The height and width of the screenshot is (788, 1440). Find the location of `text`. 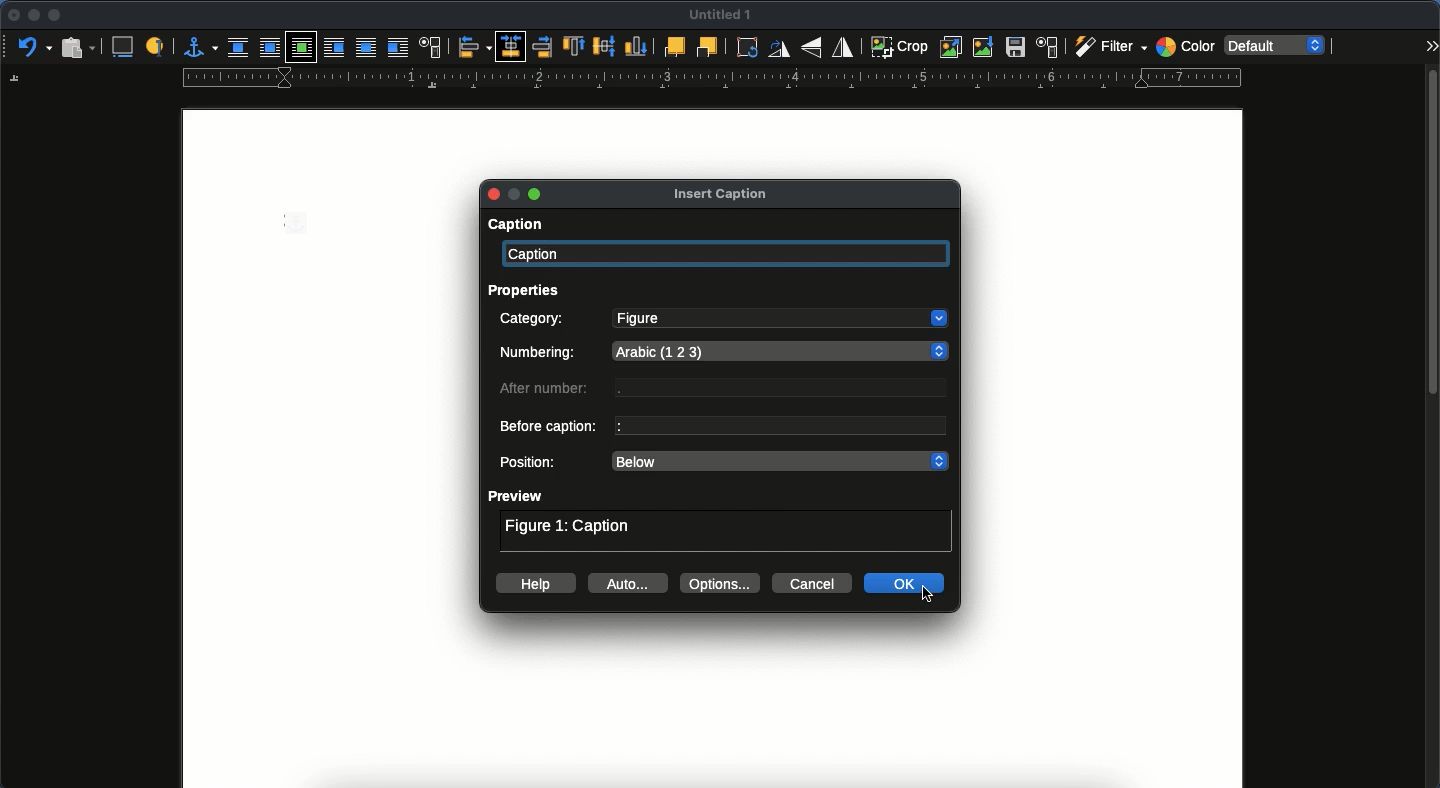

text is located at coordinates (788, 389).